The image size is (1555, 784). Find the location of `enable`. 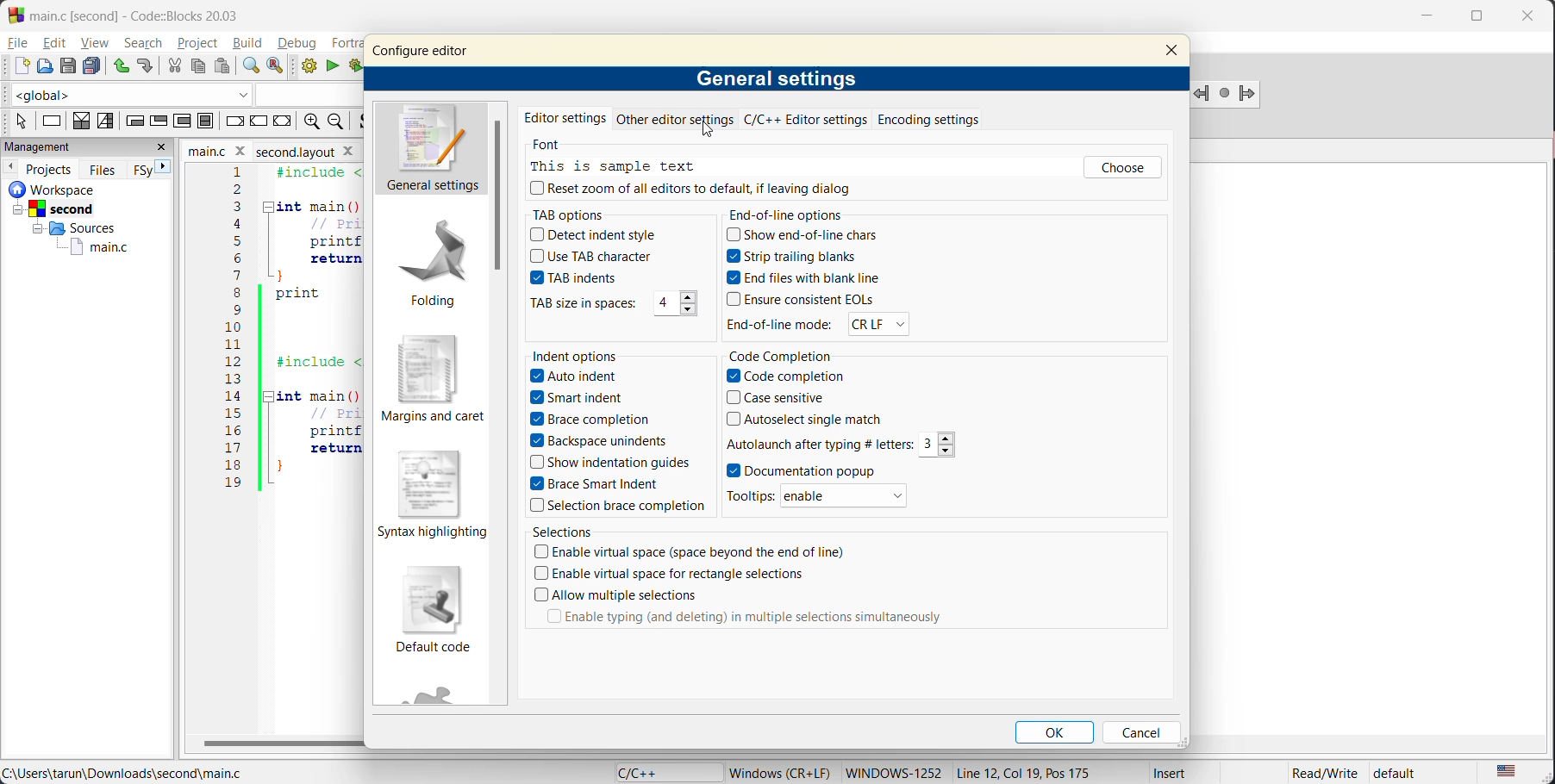

enable is located at coordinates (874, 497).